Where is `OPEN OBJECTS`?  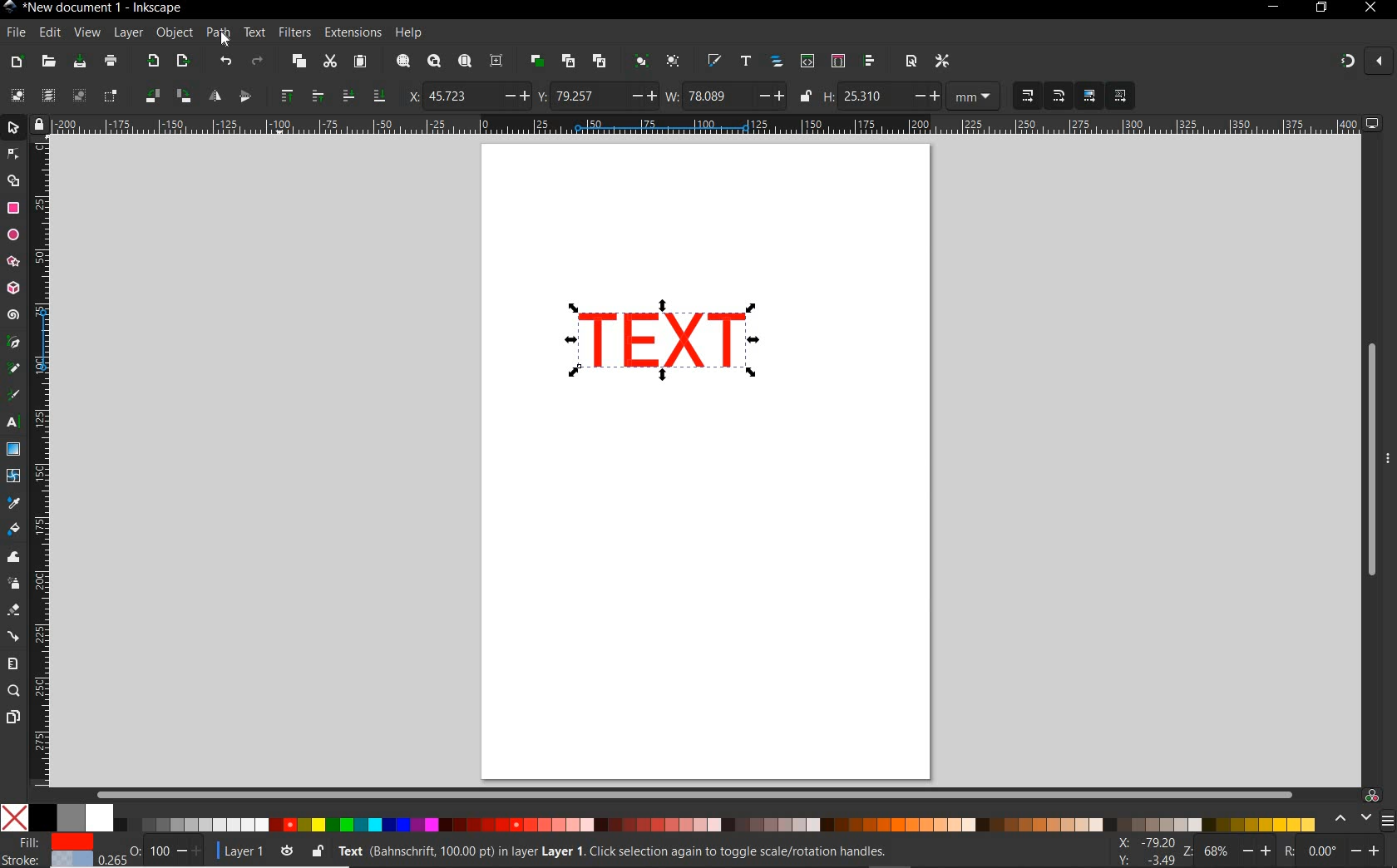
OPEN OBJECTS is located at coordinates (776, 62).